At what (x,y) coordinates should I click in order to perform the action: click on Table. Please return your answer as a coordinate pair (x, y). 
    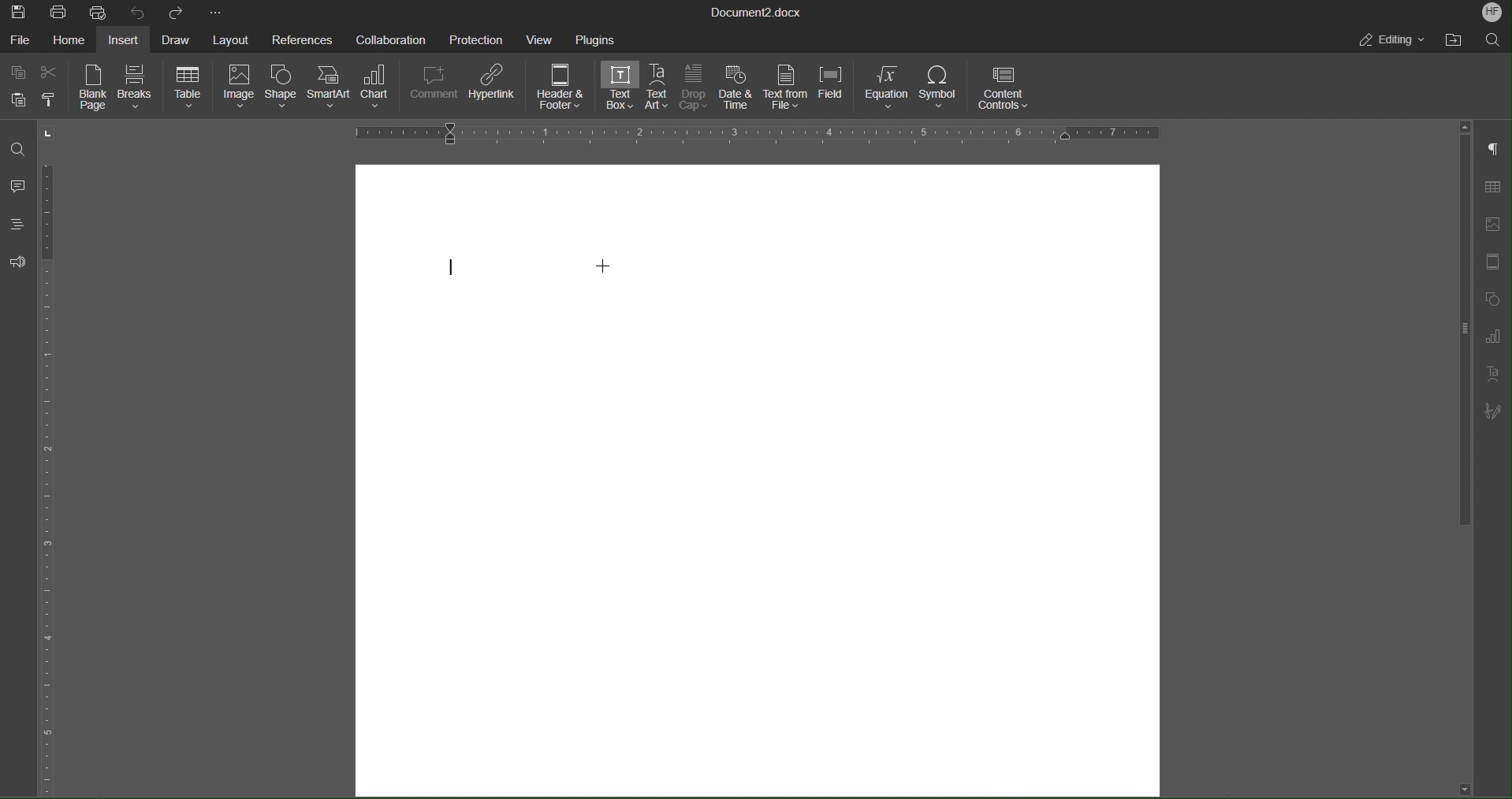
    Looking at the image, I should click on (1492, 188).